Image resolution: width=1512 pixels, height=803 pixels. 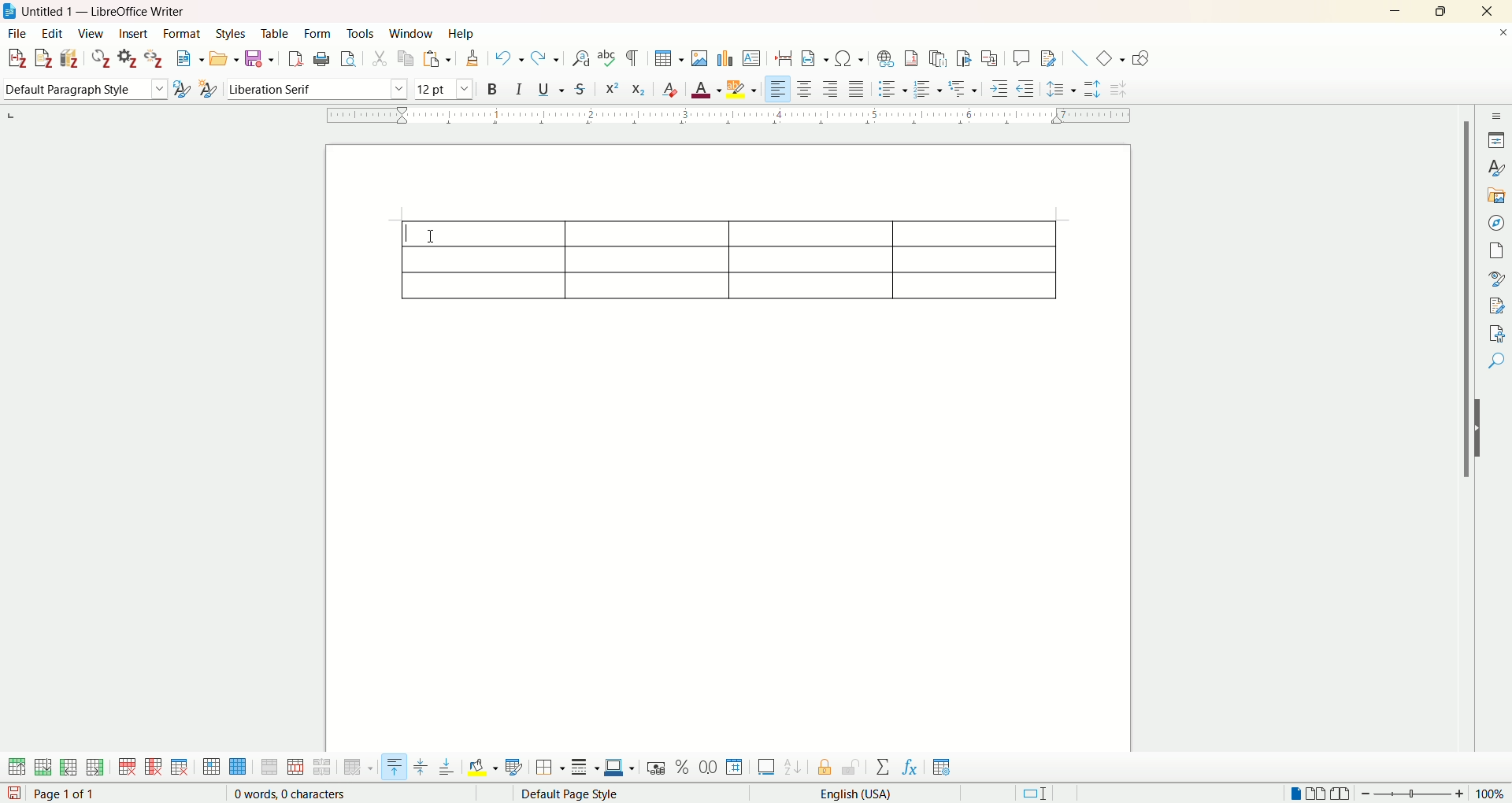 I want to click on optimize size, so click(x=361, y=766).